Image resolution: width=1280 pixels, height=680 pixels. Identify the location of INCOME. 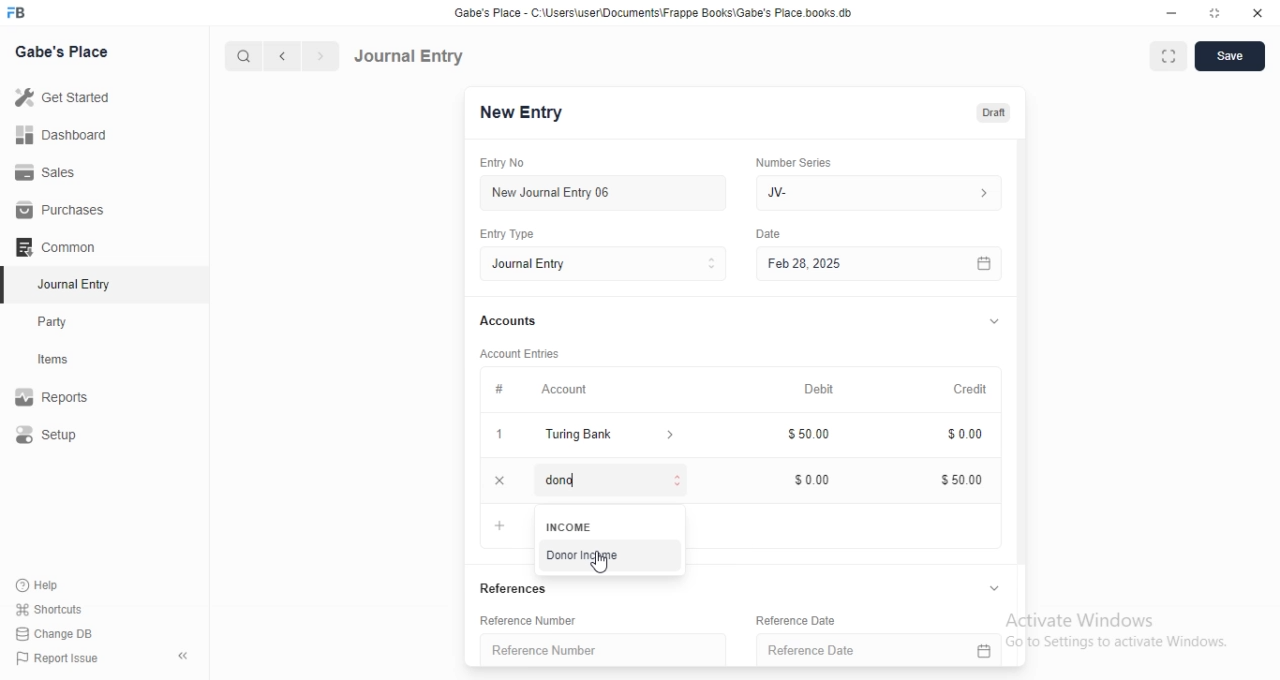
(611, 528).